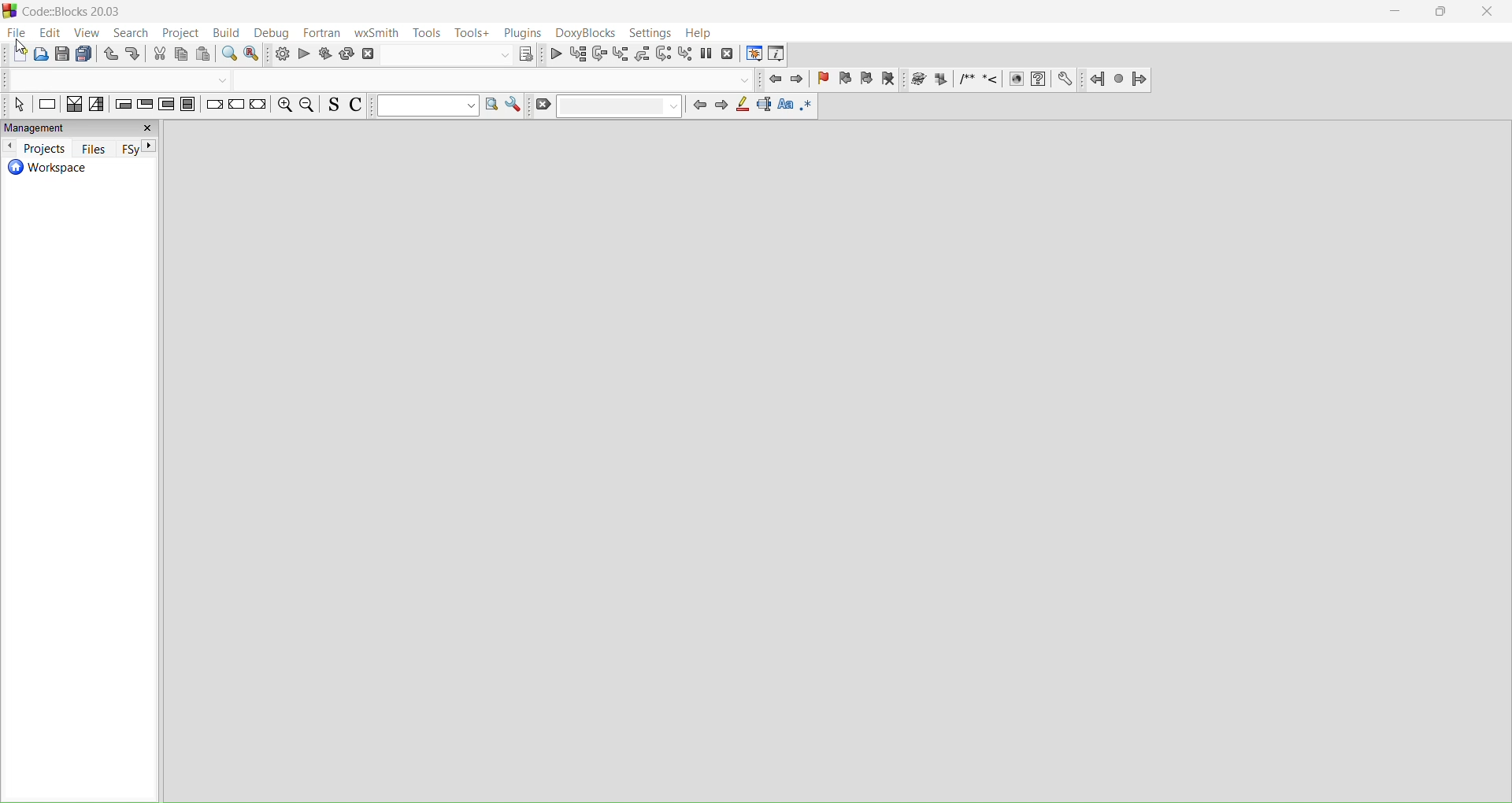 The image size is (1512, 803). What do you see at coordinates (991, 80) in the screenshot?
I see `Insert line` at bounding box center [991, 80].